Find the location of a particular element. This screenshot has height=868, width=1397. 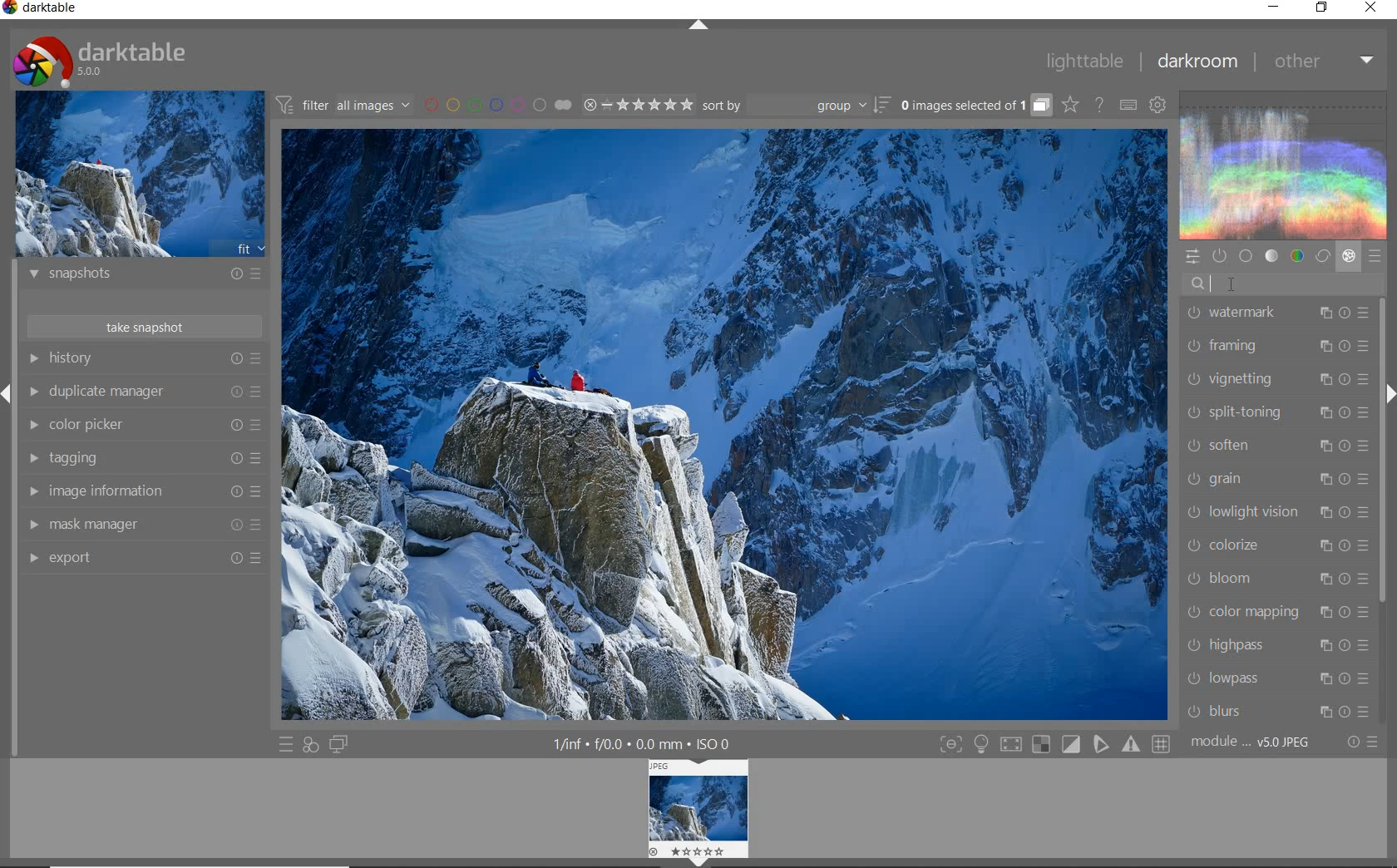

lighttable is located at coordinates (1085, 60).